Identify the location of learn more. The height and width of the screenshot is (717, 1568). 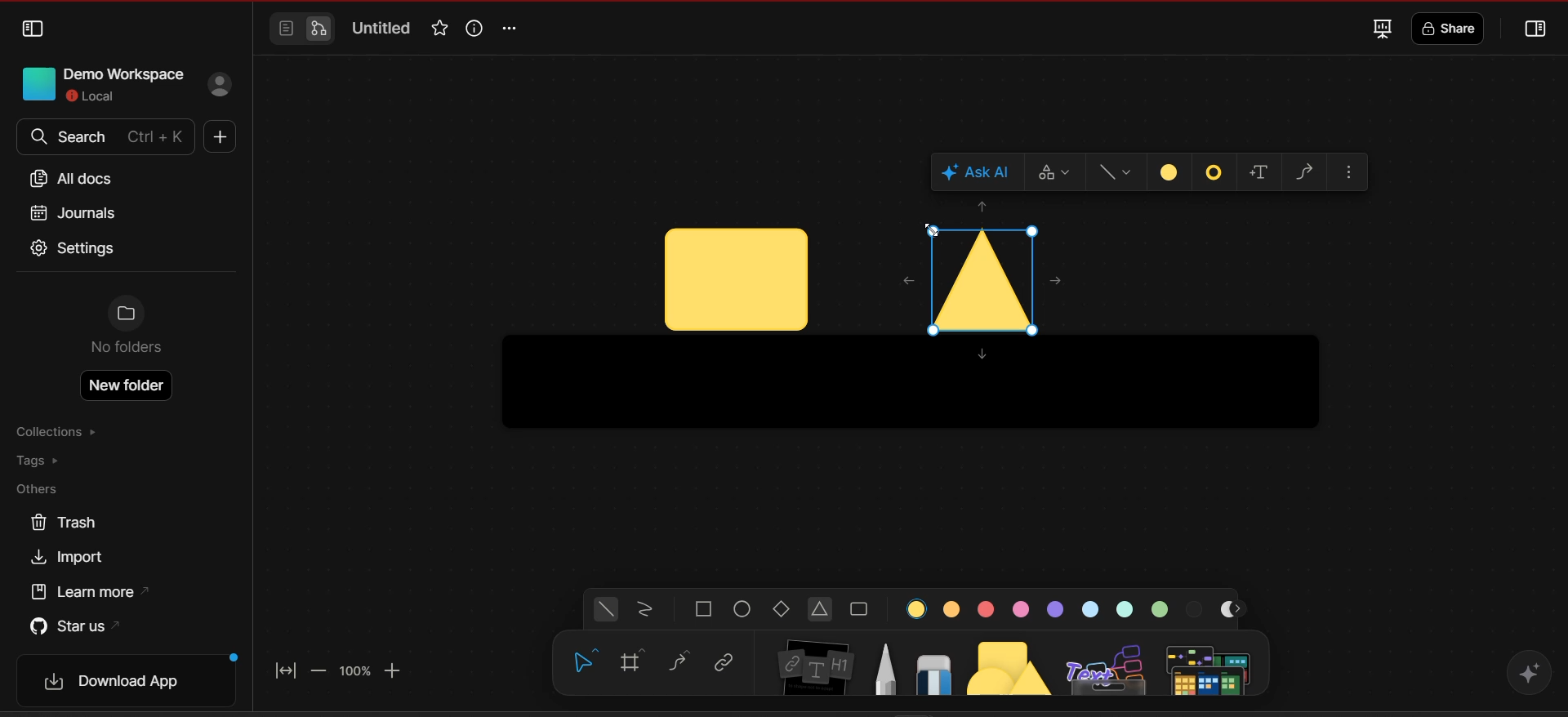
(95, 592).